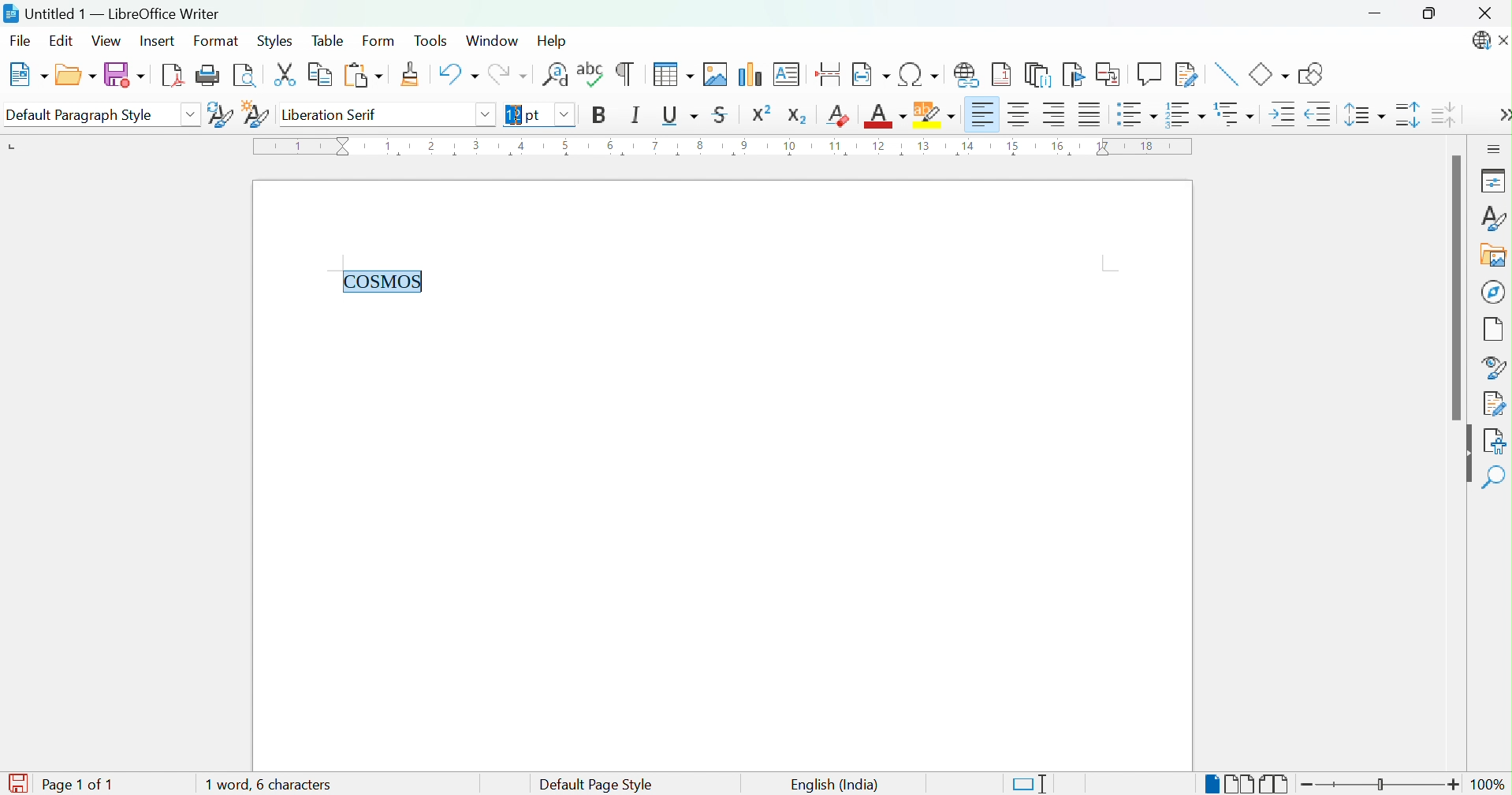  Describe the element at coordinates (764, 114) in the screenshot. I see `Superscript` at that location.